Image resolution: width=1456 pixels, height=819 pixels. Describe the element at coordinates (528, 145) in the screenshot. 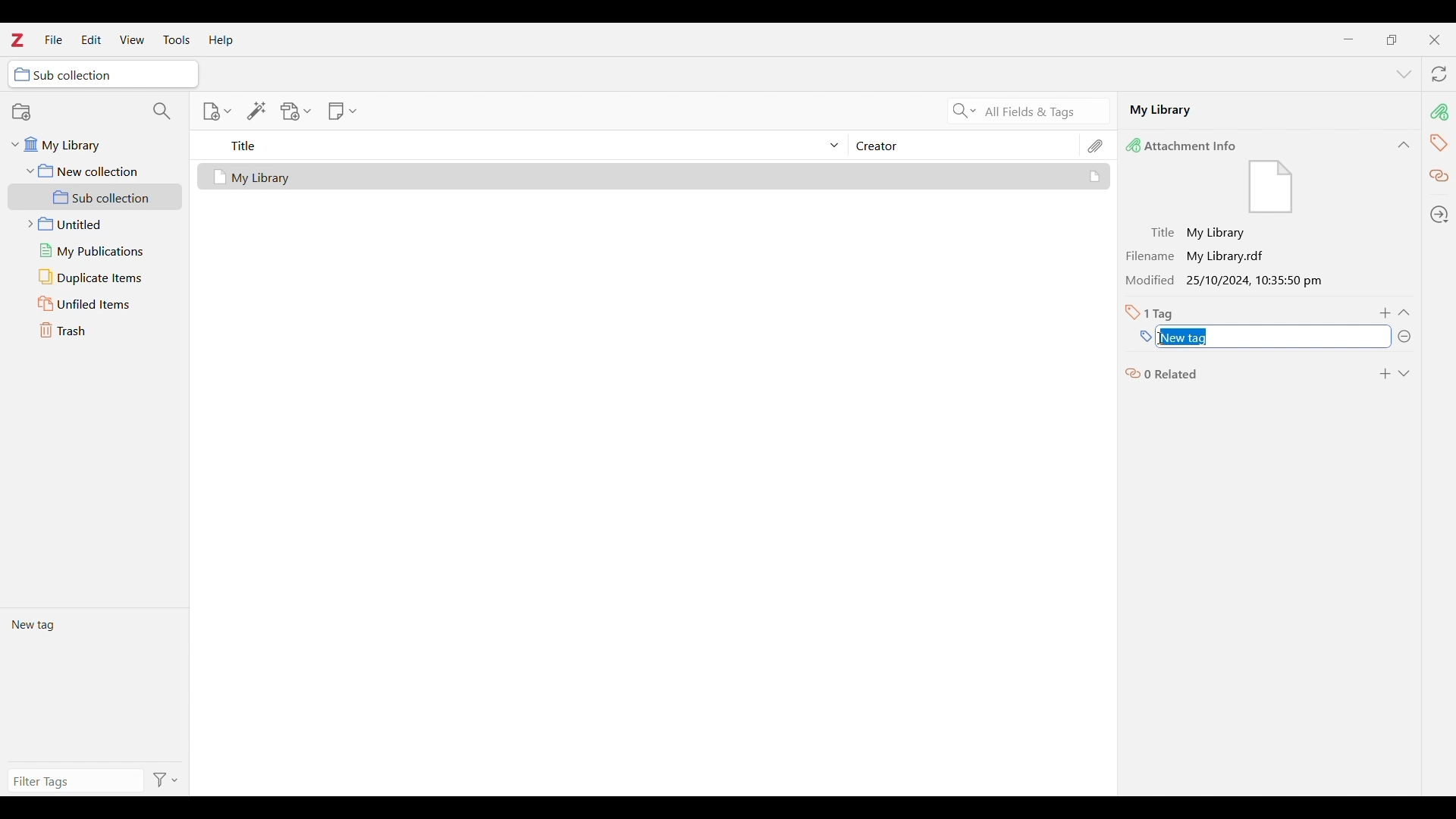

I see `Sort title column` at that location.